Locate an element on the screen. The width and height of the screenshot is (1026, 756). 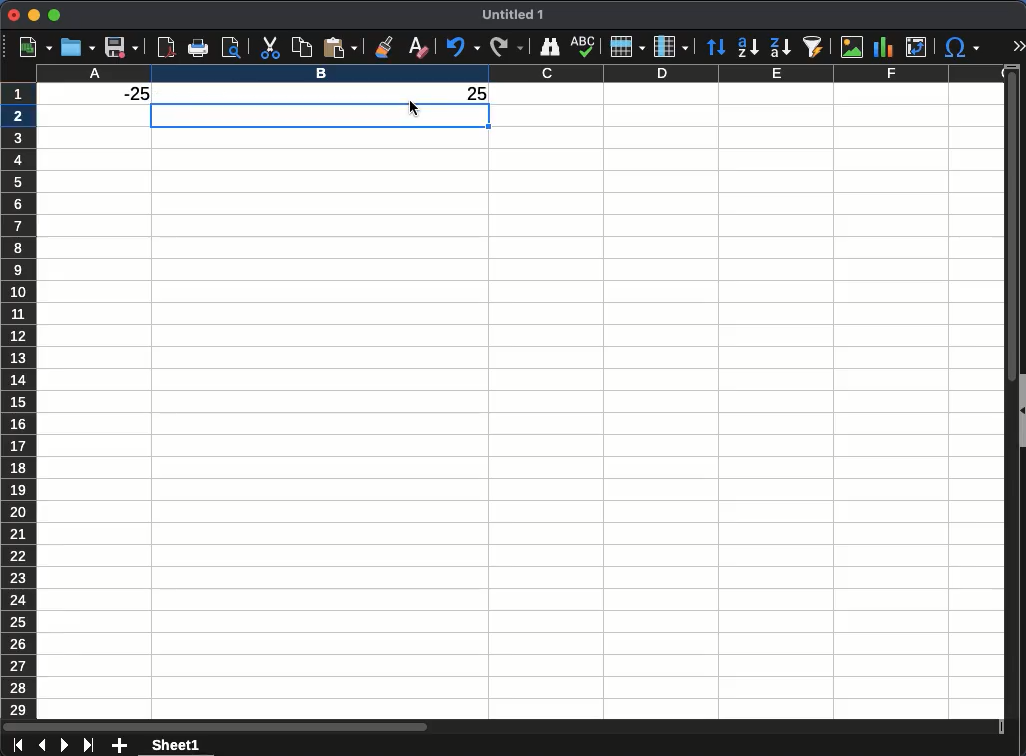
chart is located at coordinates (882, 45).